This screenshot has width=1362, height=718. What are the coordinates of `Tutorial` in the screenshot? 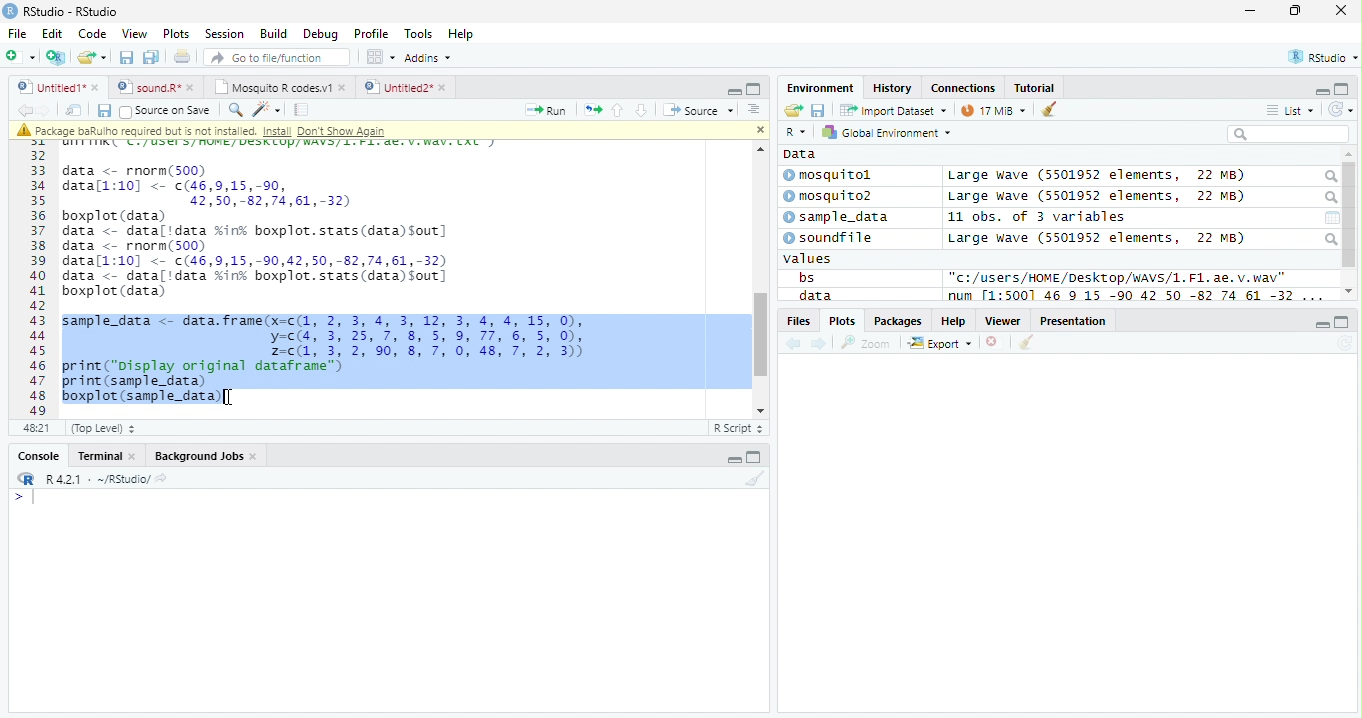 It's located at (1035, 89).